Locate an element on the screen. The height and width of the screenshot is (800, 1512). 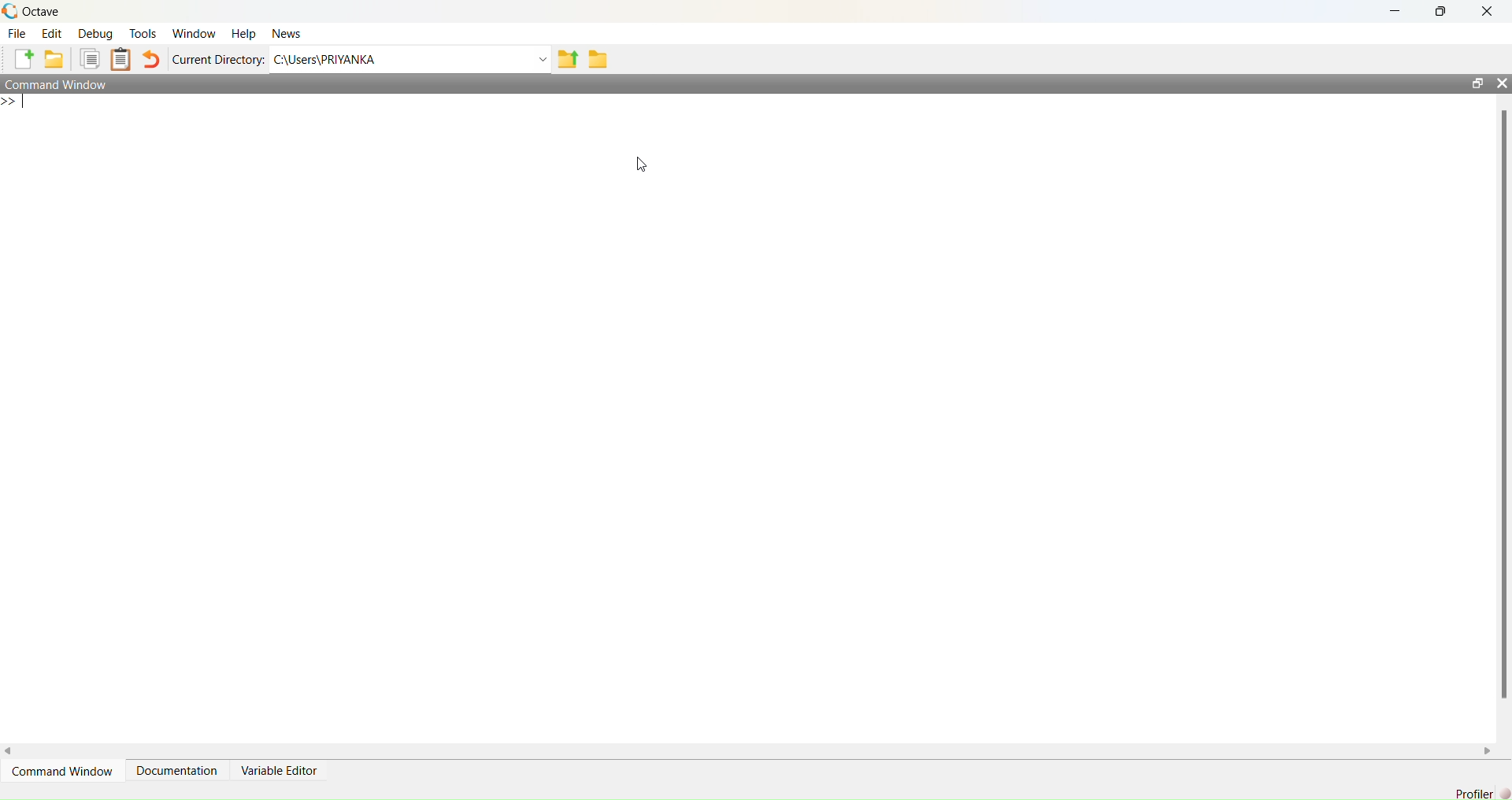
octave is located at coordinates (43, 13).